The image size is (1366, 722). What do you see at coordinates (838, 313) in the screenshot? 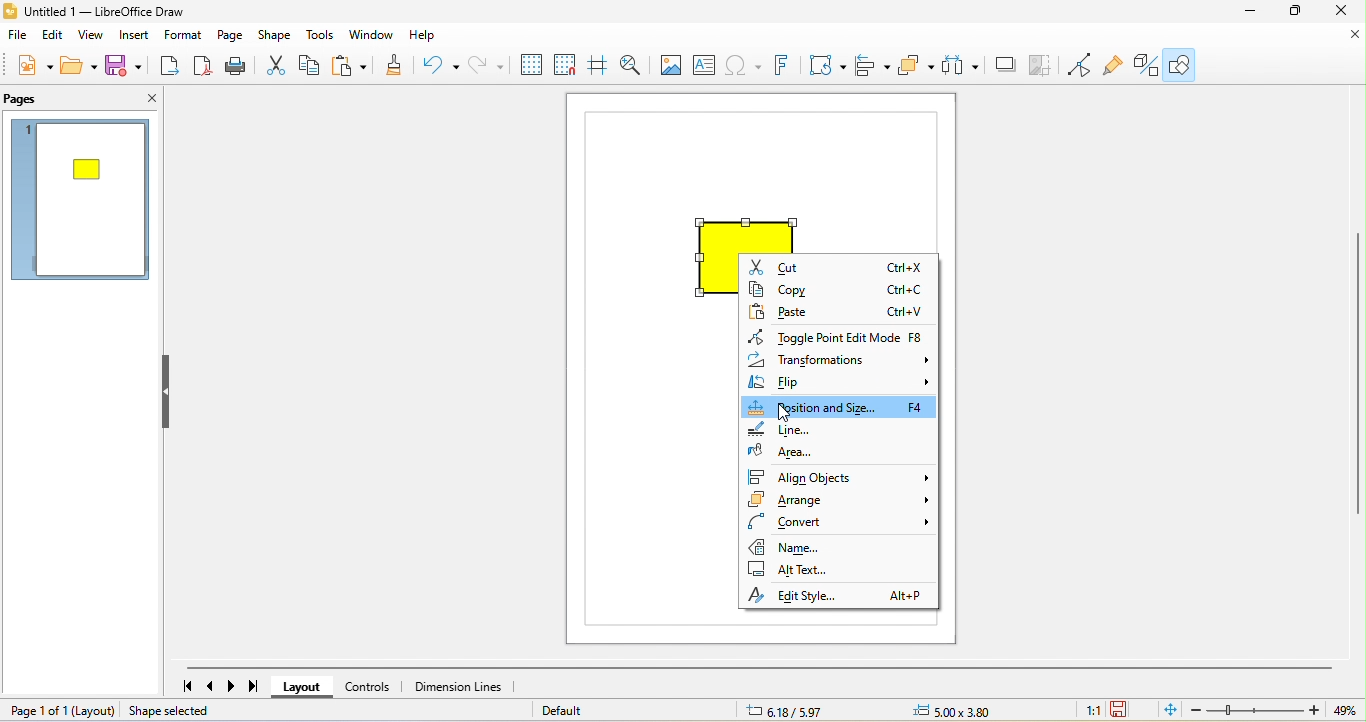
I see `paste` at bounding box center [838, 313].